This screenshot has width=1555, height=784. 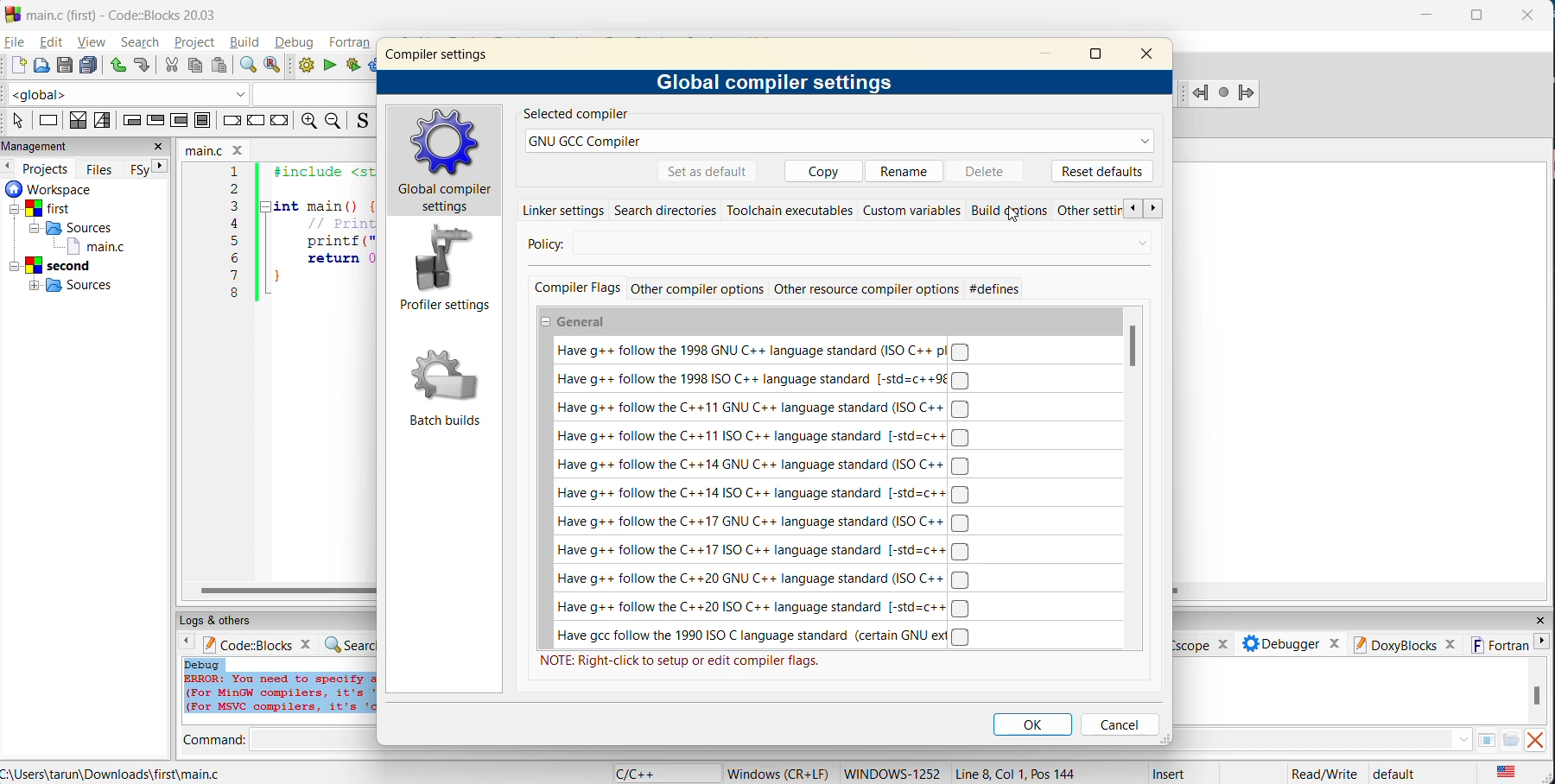 I want to click on block instruction, so click(x=202, y=121).